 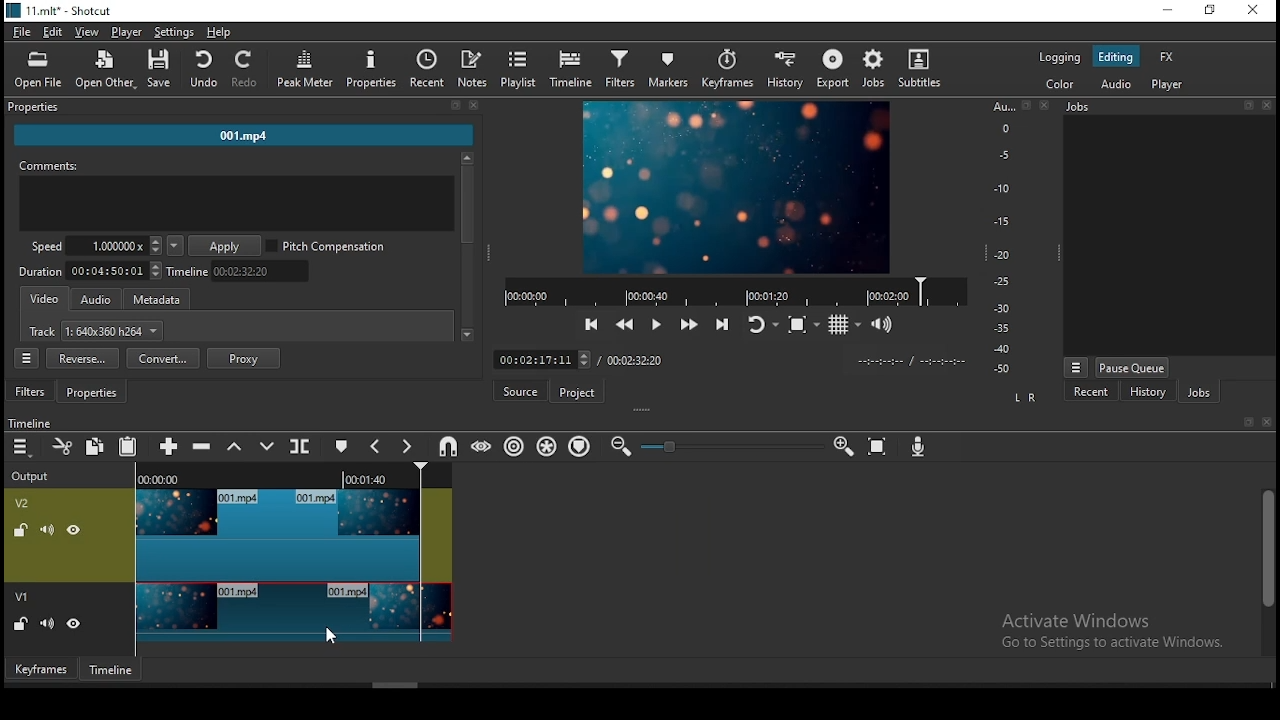 What do you see at coordinates (232, 447) in the screenshot?
I see `lift` at bounding box center [232, 447].